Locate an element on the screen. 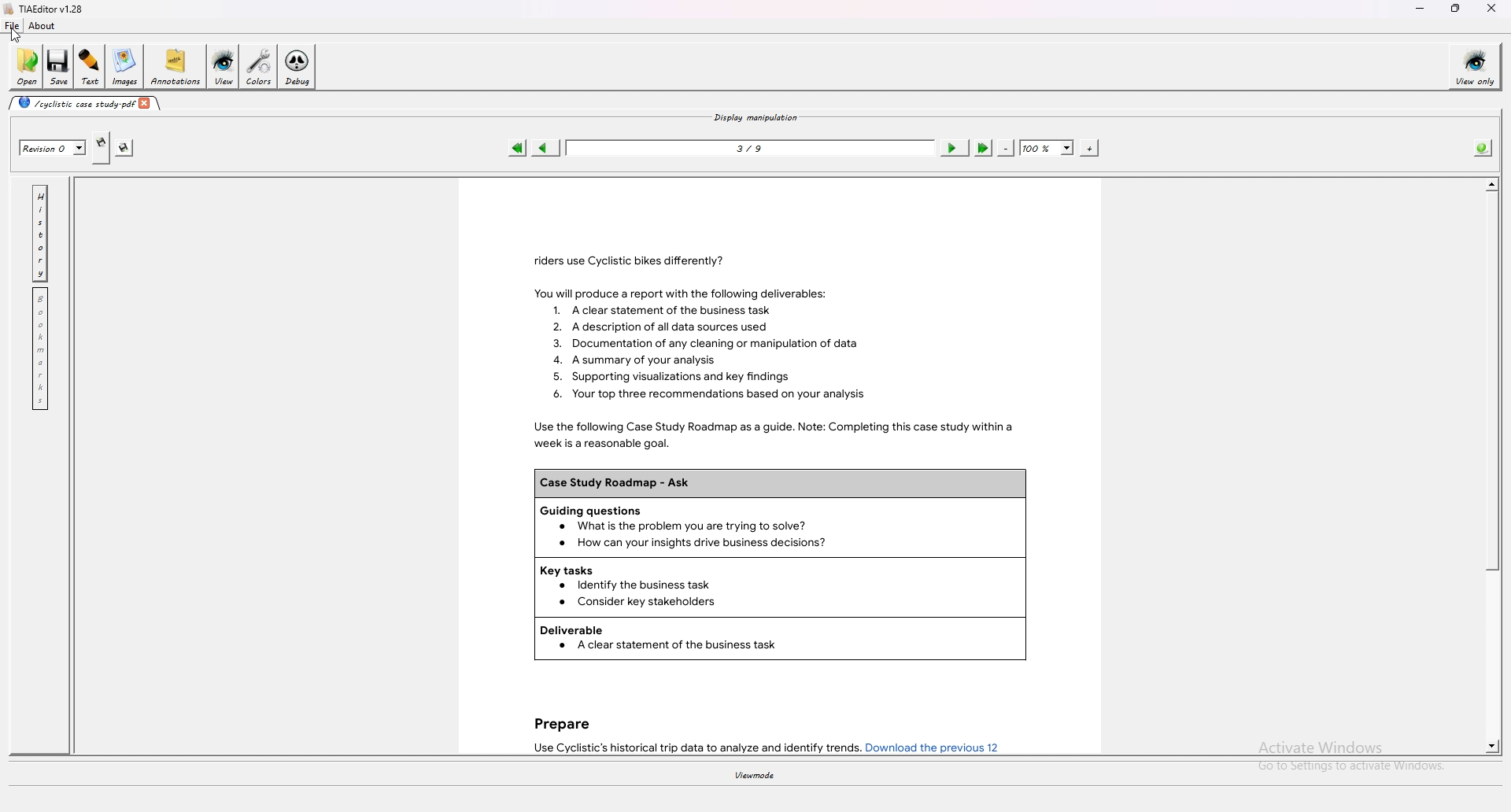 The width and height of the screenshot is (1511, 812). cyclistic case study-pdf is located at coordinates (73, 102).